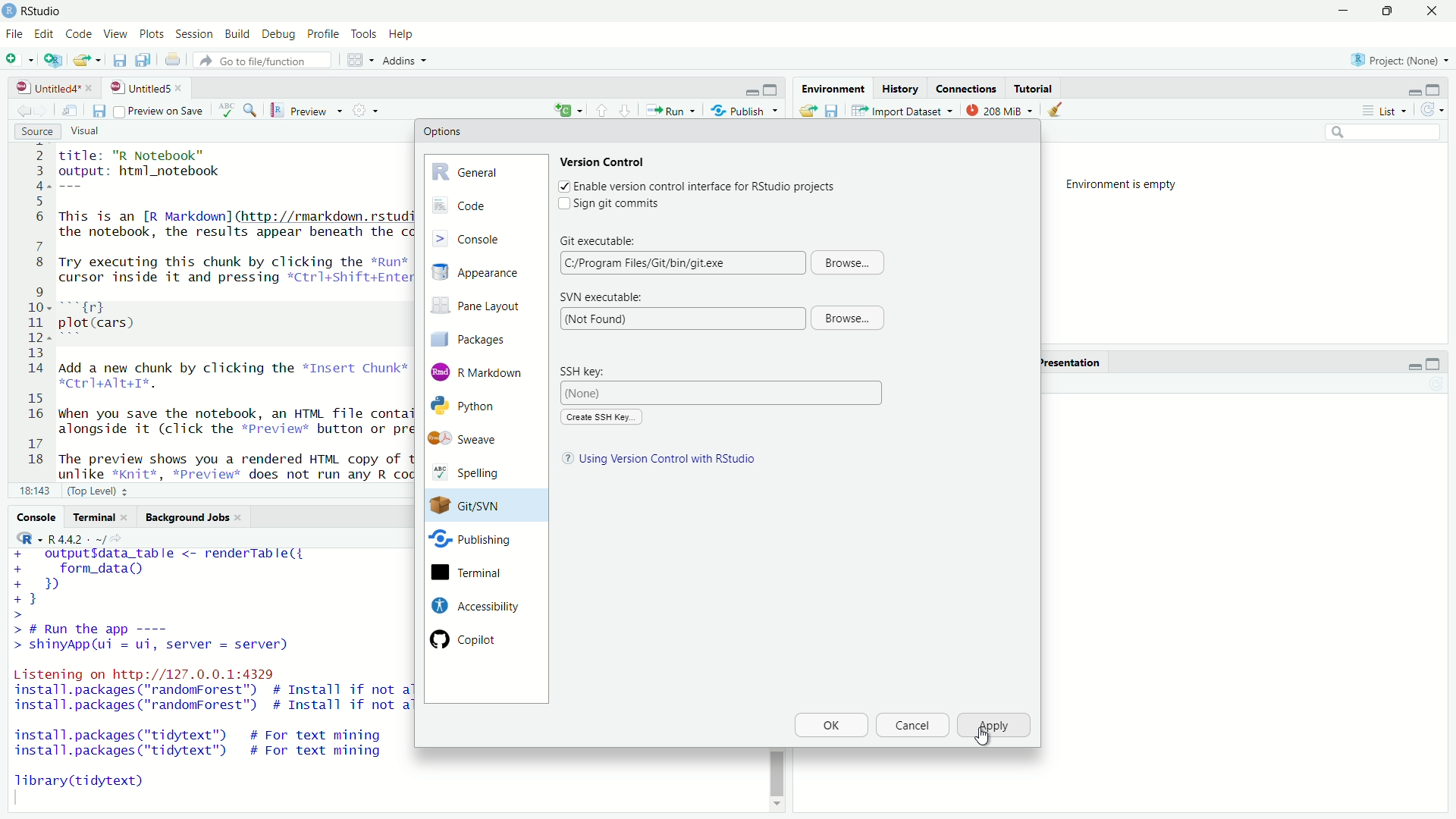 This screenshot has width=1456, height=819. I want to click on Profile, so click(322, 35).